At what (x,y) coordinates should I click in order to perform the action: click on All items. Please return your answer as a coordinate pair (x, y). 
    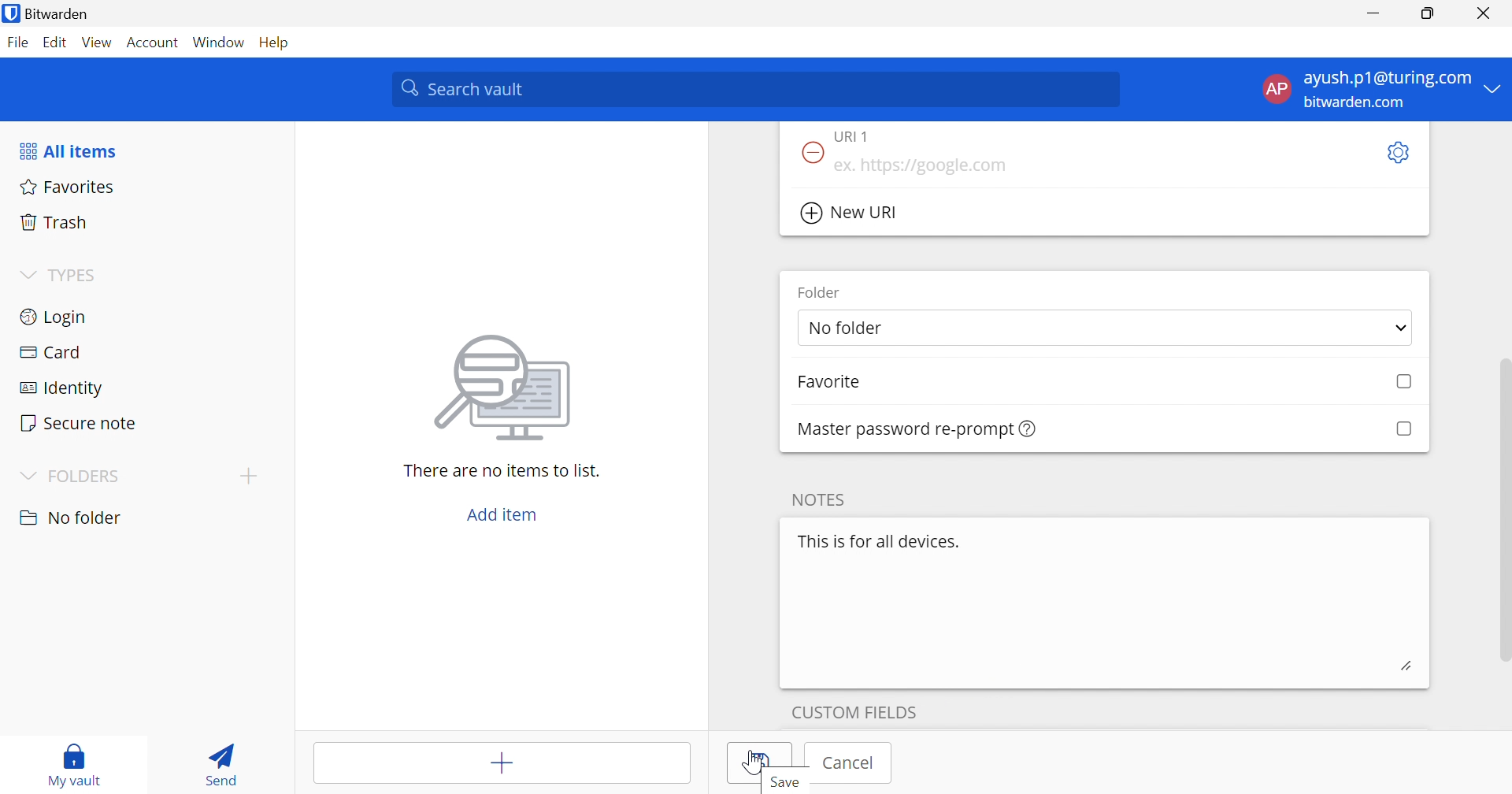
    Looking at the image, I should click on (67, 151).